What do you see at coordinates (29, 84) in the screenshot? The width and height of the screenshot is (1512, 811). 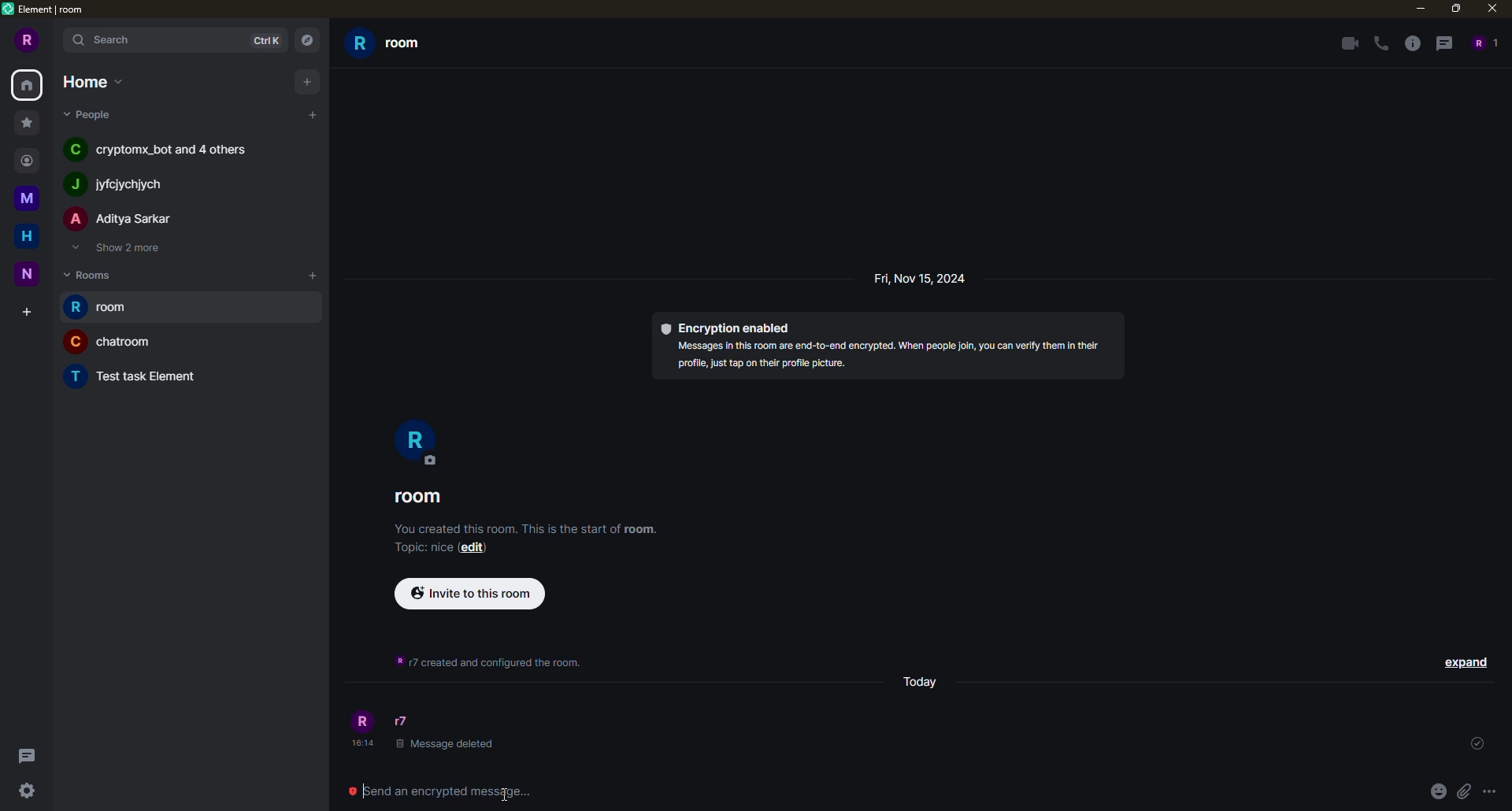 I see `home` at bounding box center [29, 84].